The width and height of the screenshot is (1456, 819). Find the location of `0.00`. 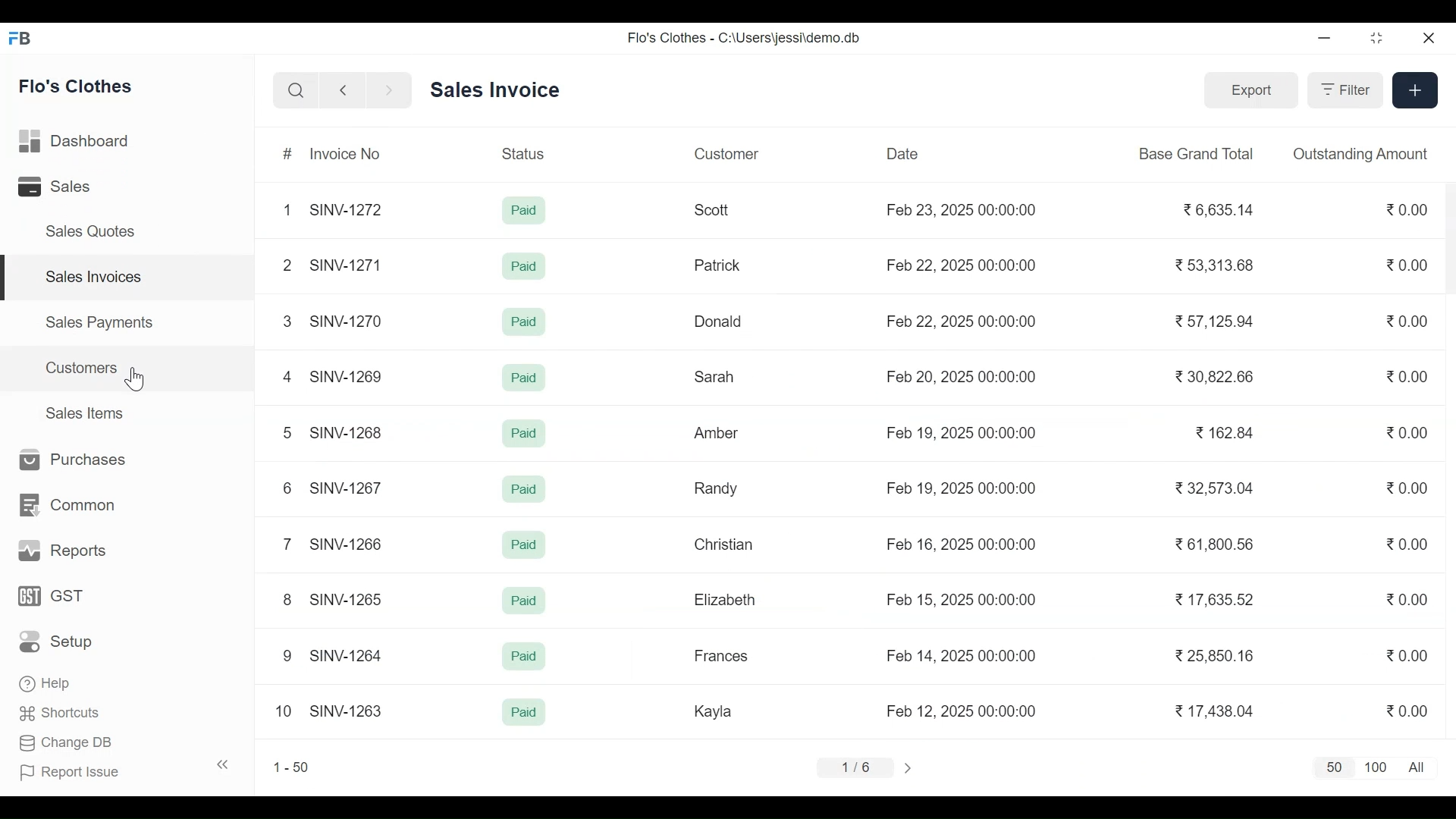

0.00 is located at coordinates (1407, 209).